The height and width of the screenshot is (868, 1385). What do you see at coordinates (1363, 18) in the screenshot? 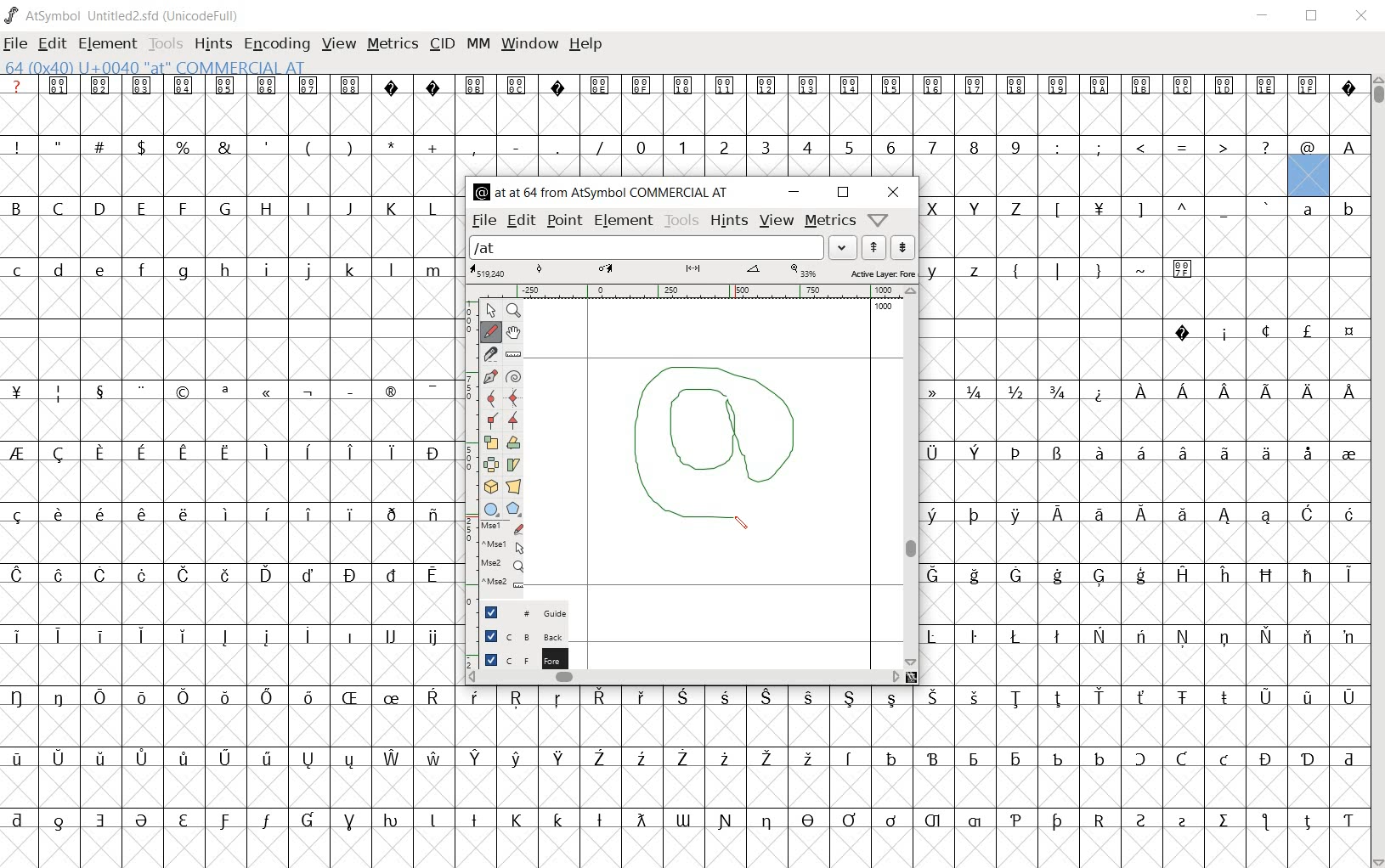
I see `CLOSE` at bounding box center [1363, 18].